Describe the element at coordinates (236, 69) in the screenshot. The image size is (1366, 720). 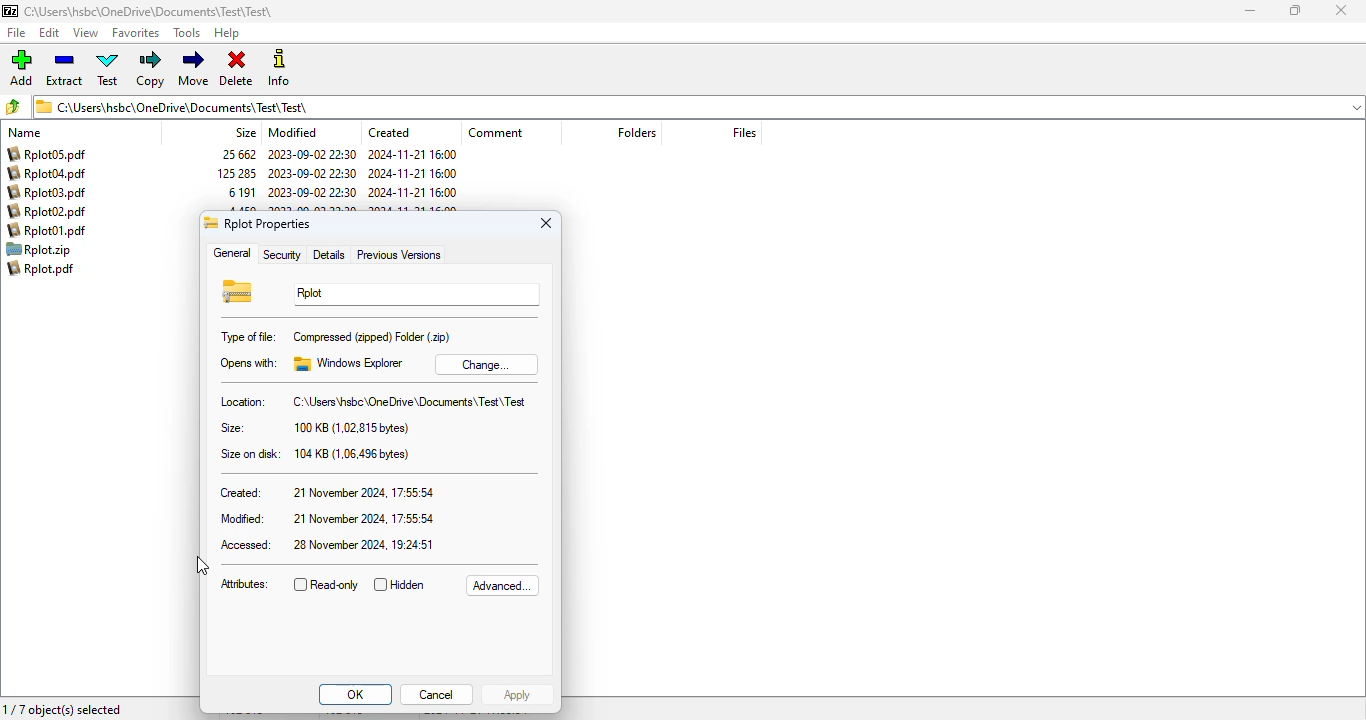
I see `delete` at that location.